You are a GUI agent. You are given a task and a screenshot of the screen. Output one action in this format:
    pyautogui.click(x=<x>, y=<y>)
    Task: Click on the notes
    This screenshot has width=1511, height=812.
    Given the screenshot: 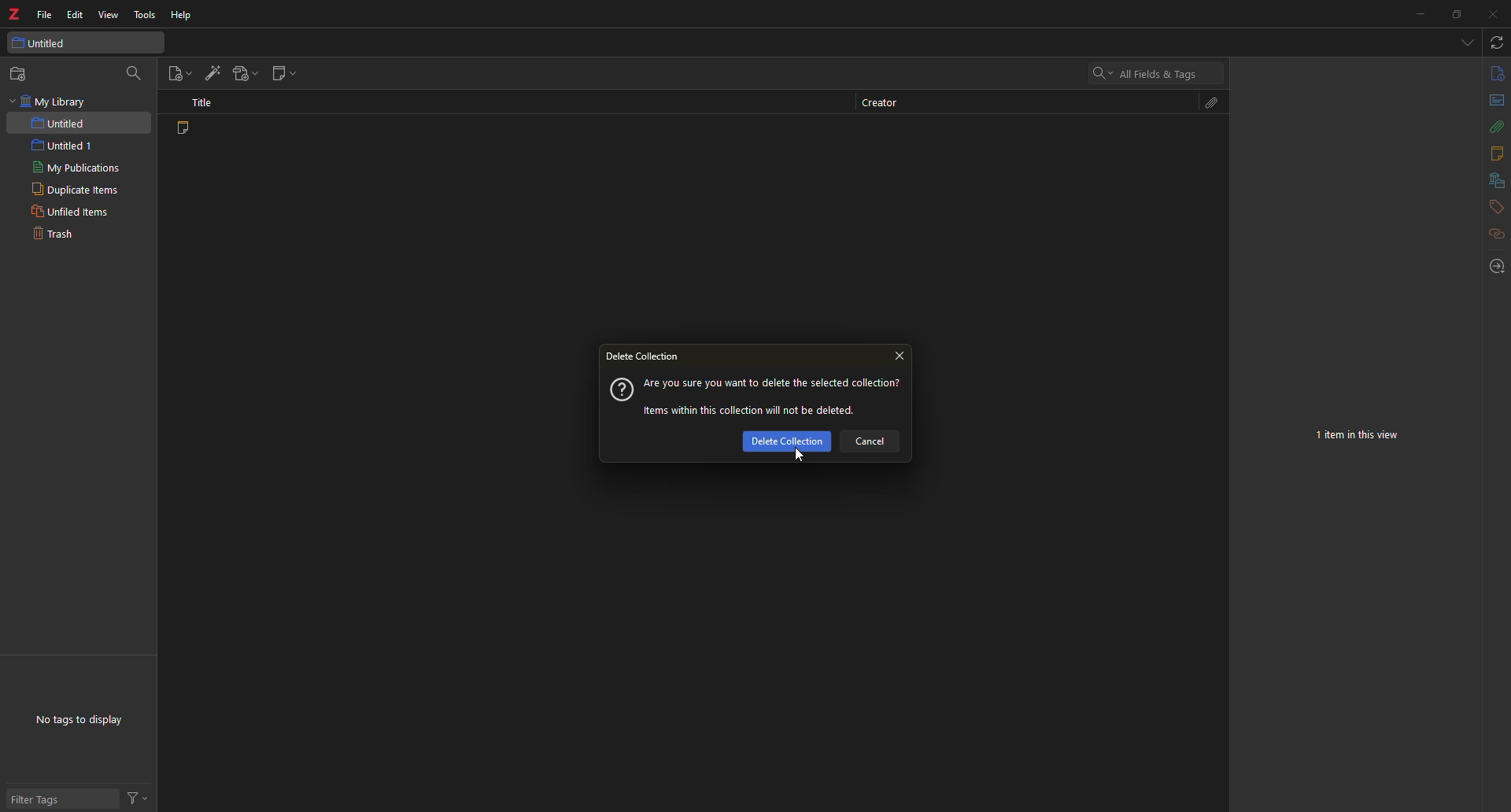 What is the action you would take?
    pyautogui.click(x=1490, y=154)
    